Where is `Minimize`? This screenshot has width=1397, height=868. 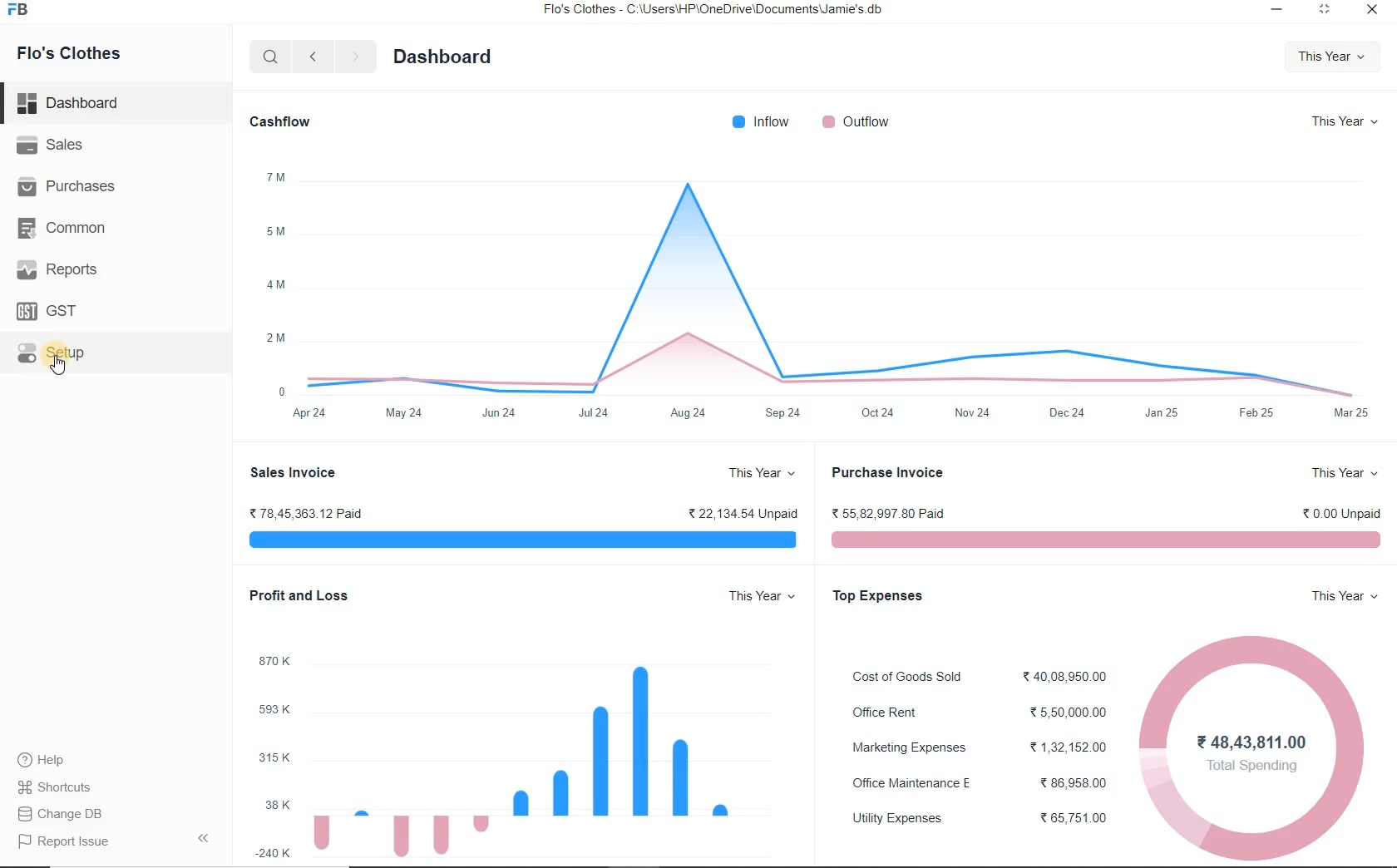 Minimize is located at coordinates (1277, 9).